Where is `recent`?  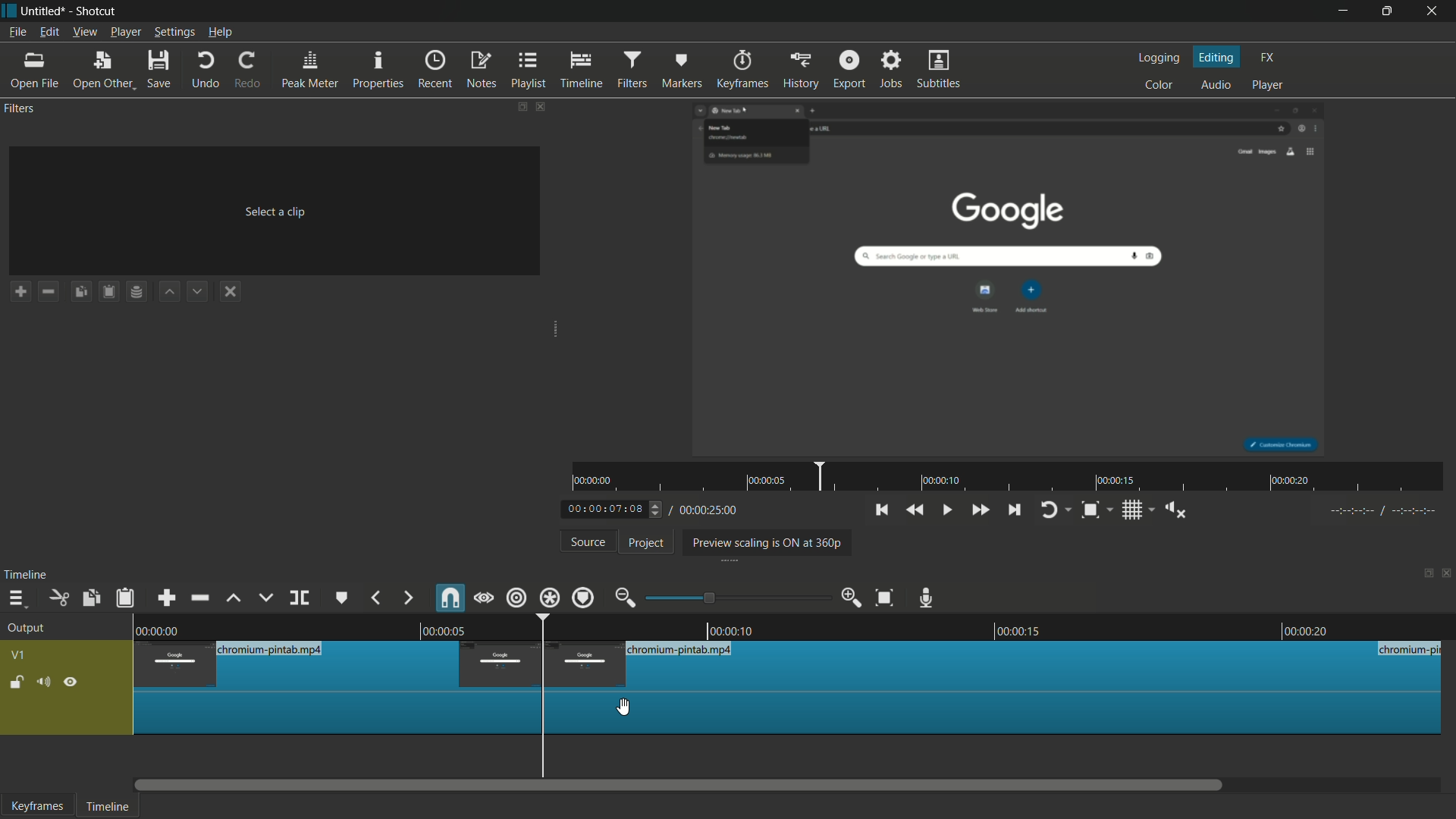
recent is located at coordinates (435, 69).